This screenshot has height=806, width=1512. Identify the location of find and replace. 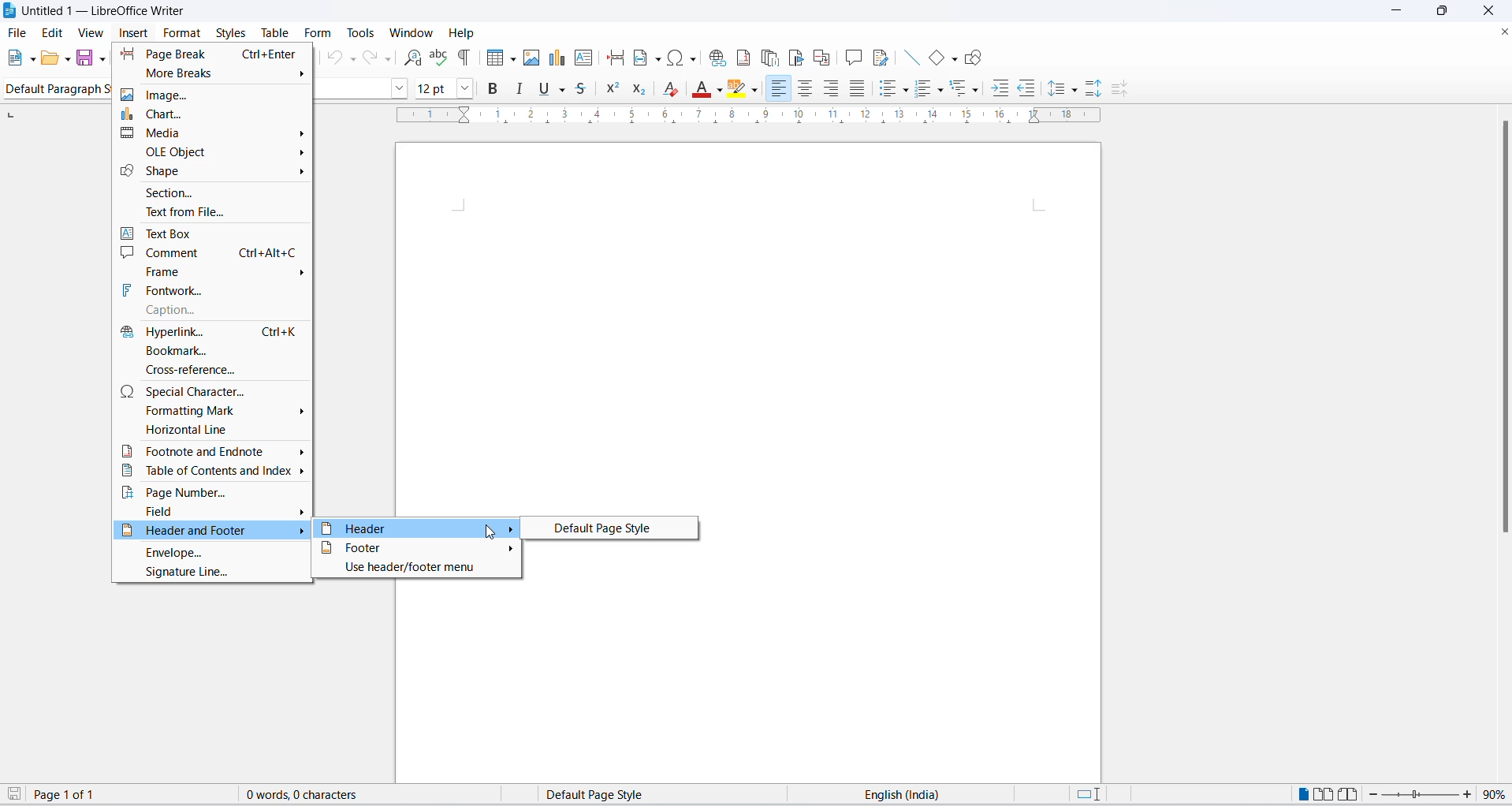
(410, 58).